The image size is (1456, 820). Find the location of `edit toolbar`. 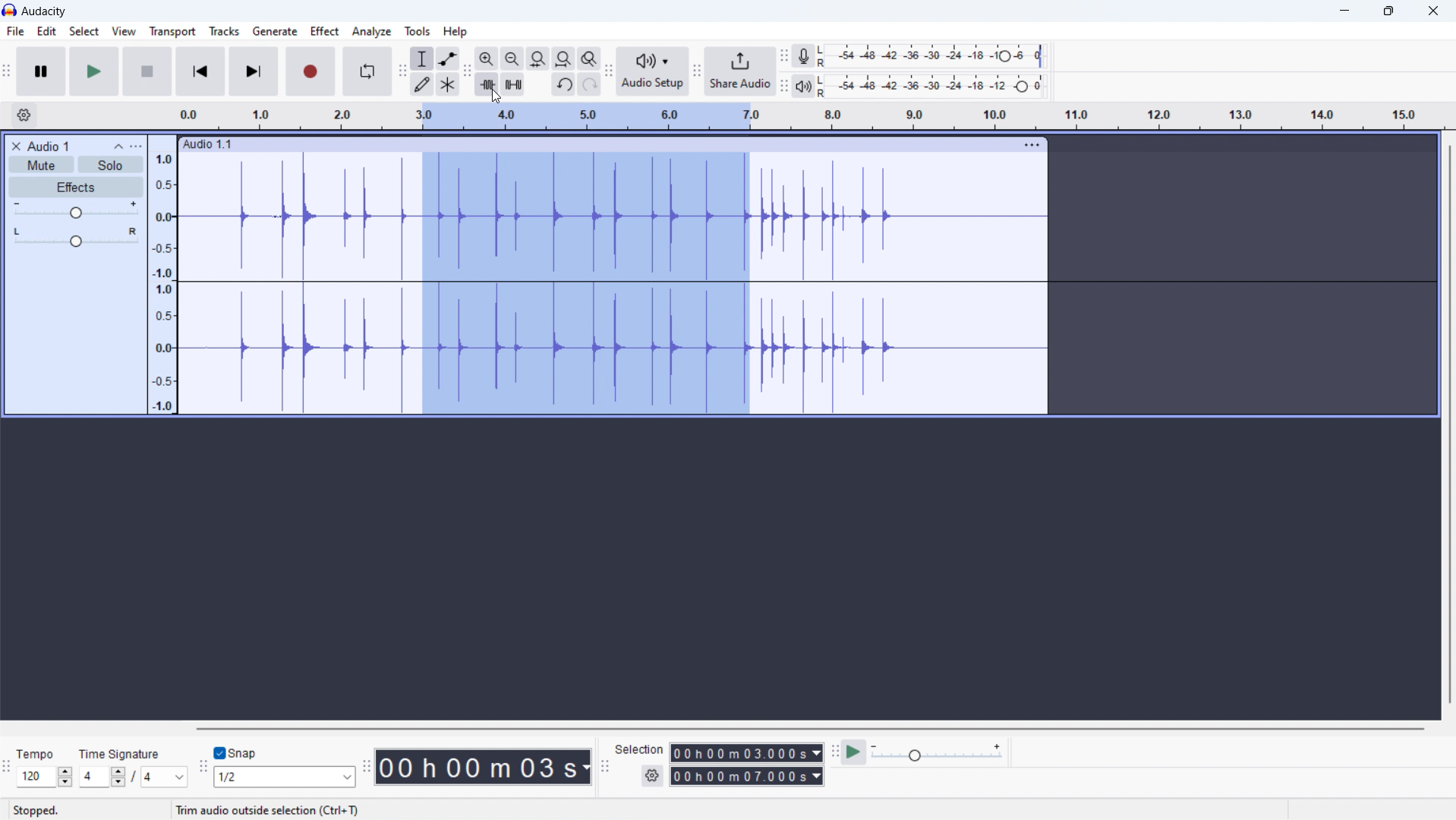

edit toolbar is located at coordinates (468, 72).